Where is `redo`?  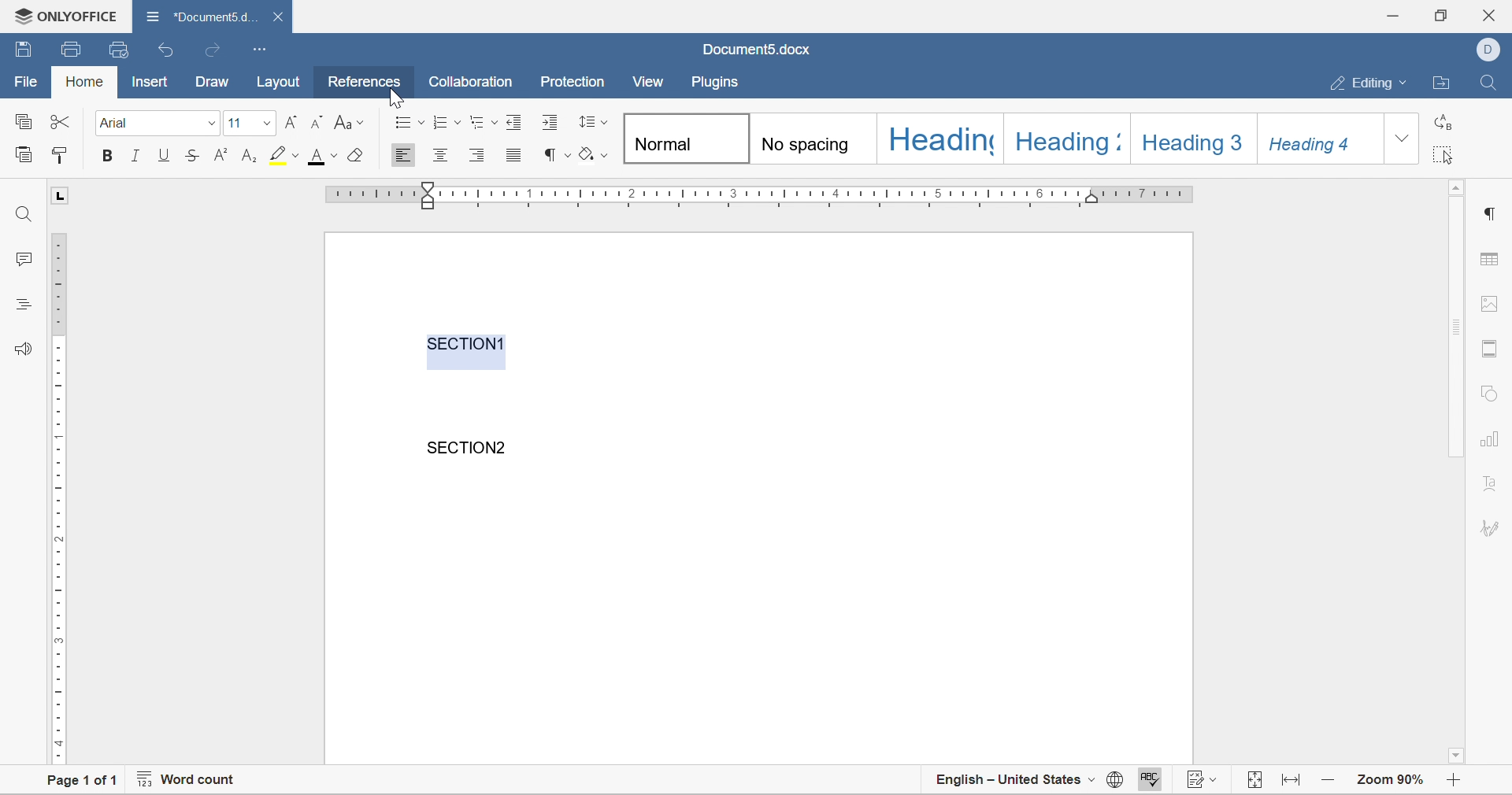 redo is located at coordinates (210, 50).